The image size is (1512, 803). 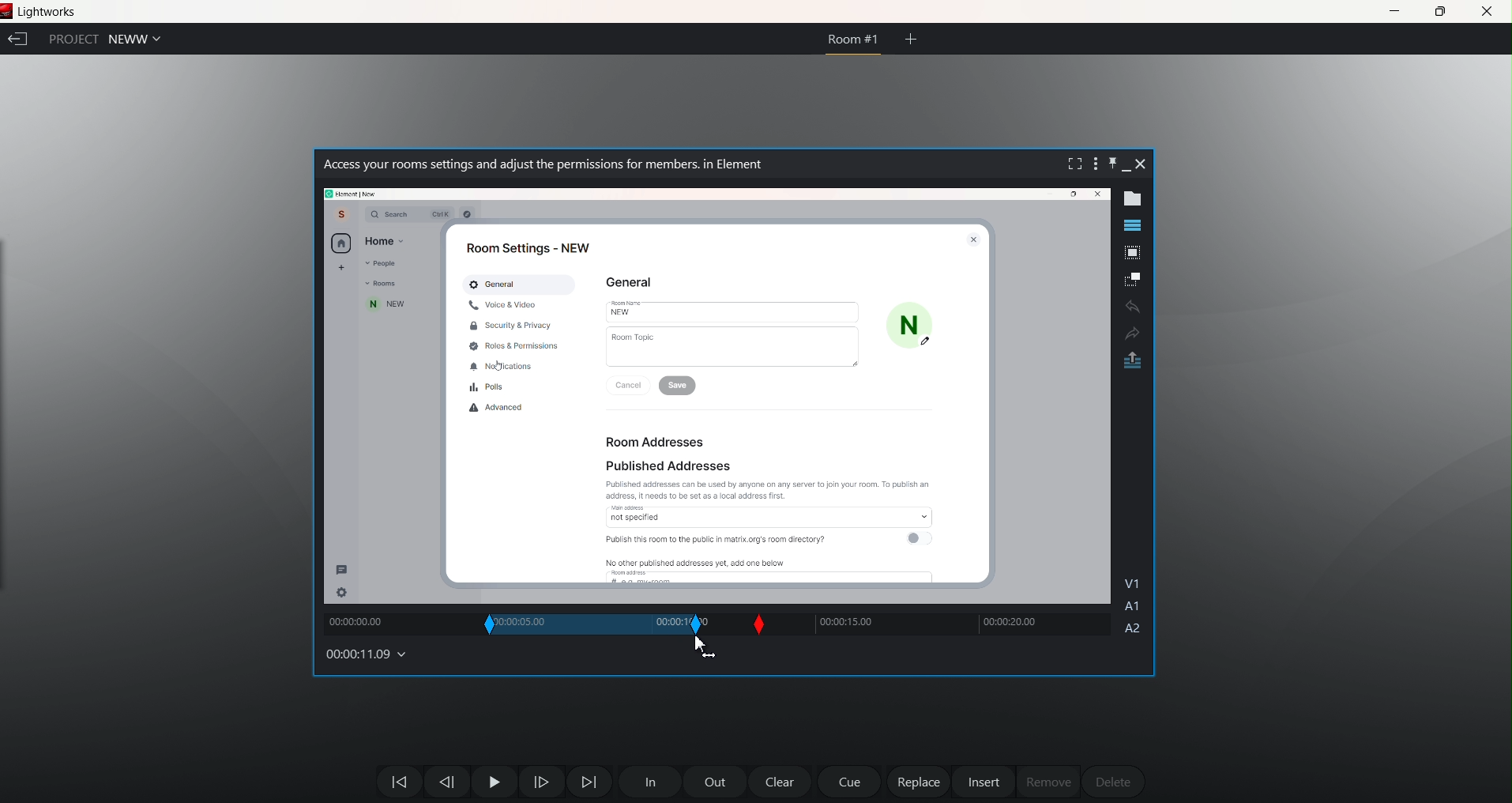 What do you see at coordinates (969, 237) in the screenshot?
I see `close` at bounding box center [969, 237].